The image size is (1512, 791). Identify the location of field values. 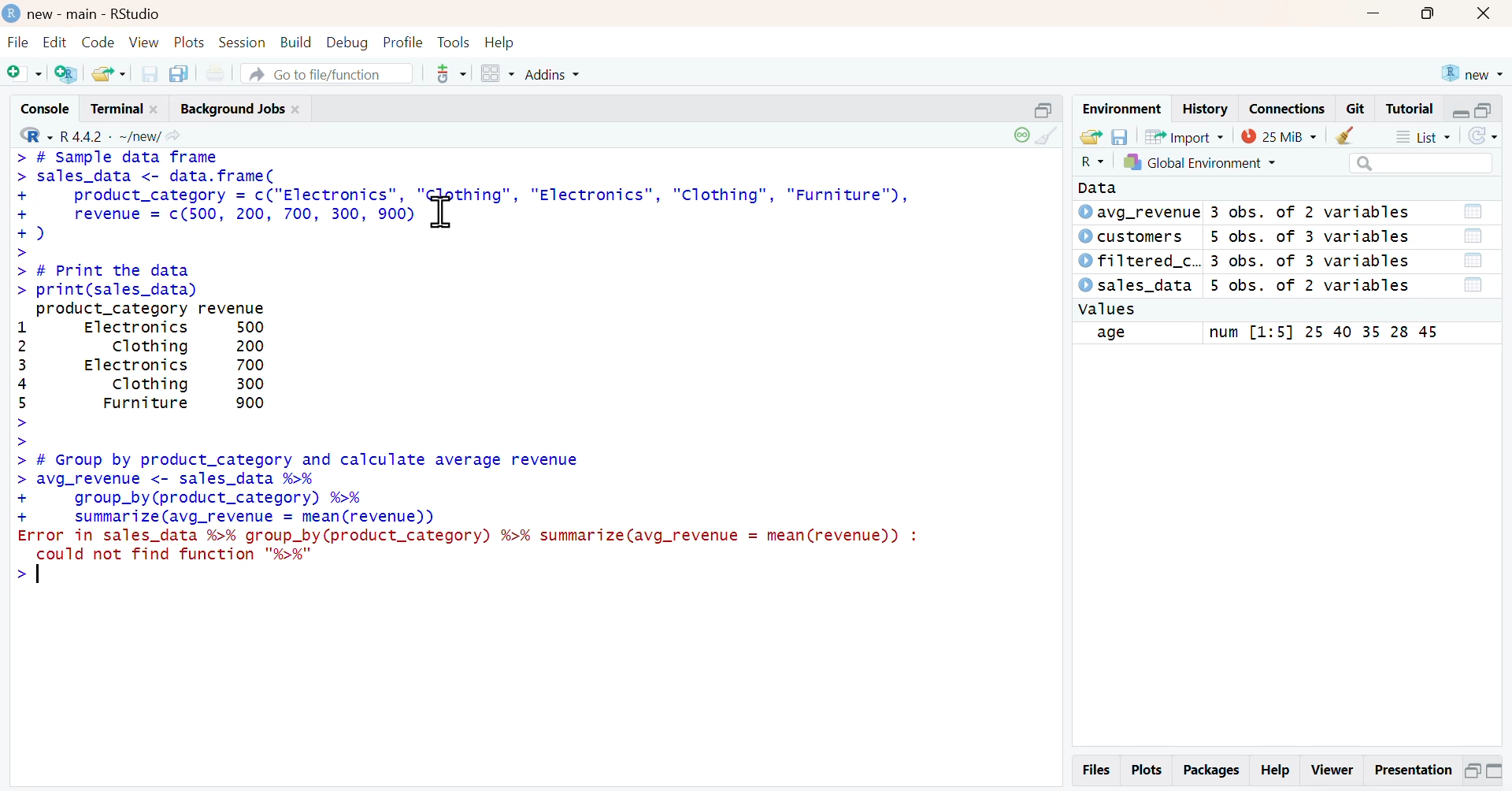
(1320, 333).